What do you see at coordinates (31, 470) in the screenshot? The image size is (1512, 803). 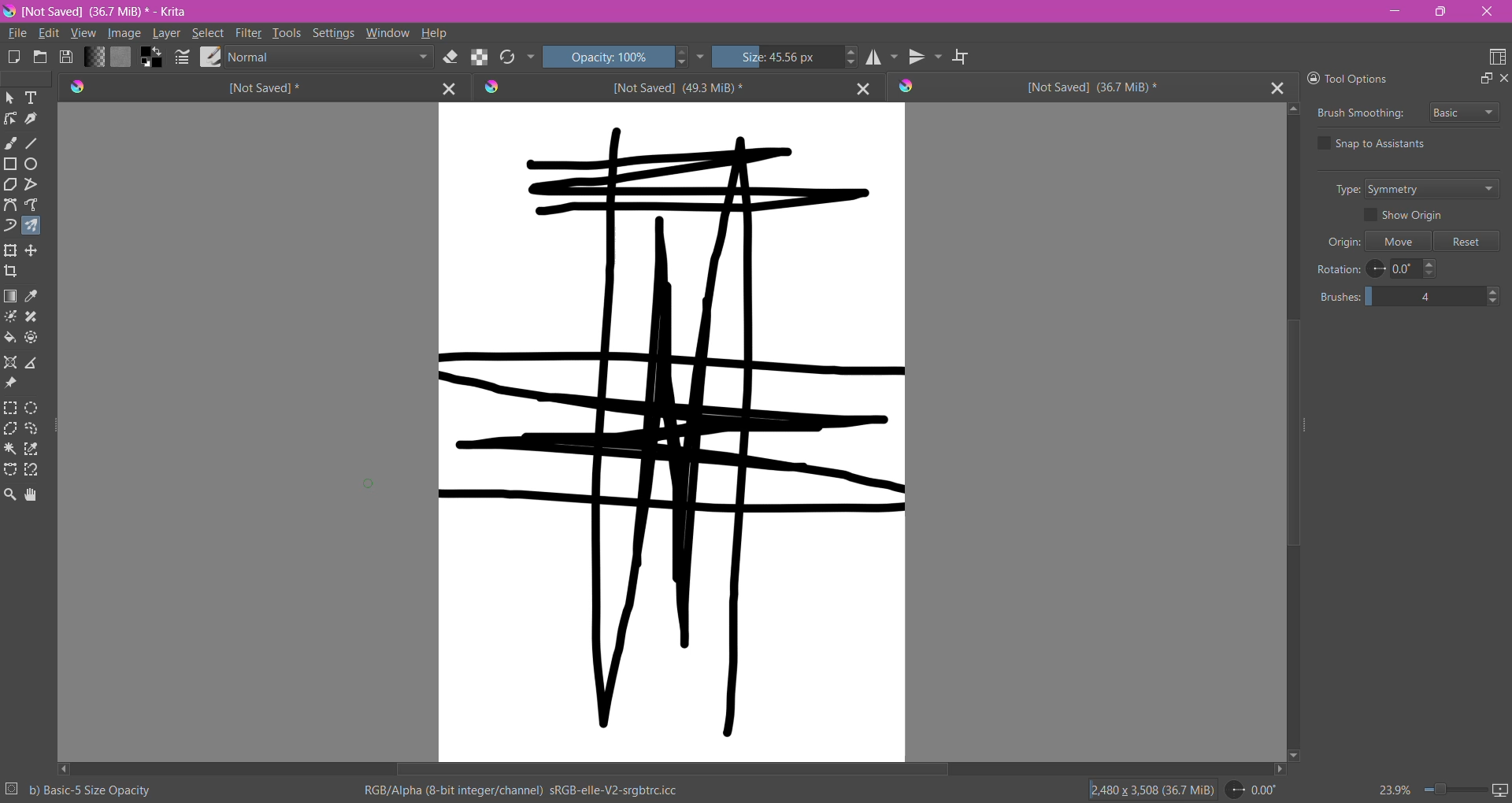 I see `Magnetic Curve Selection Tool` at bounding box center [31, 470].